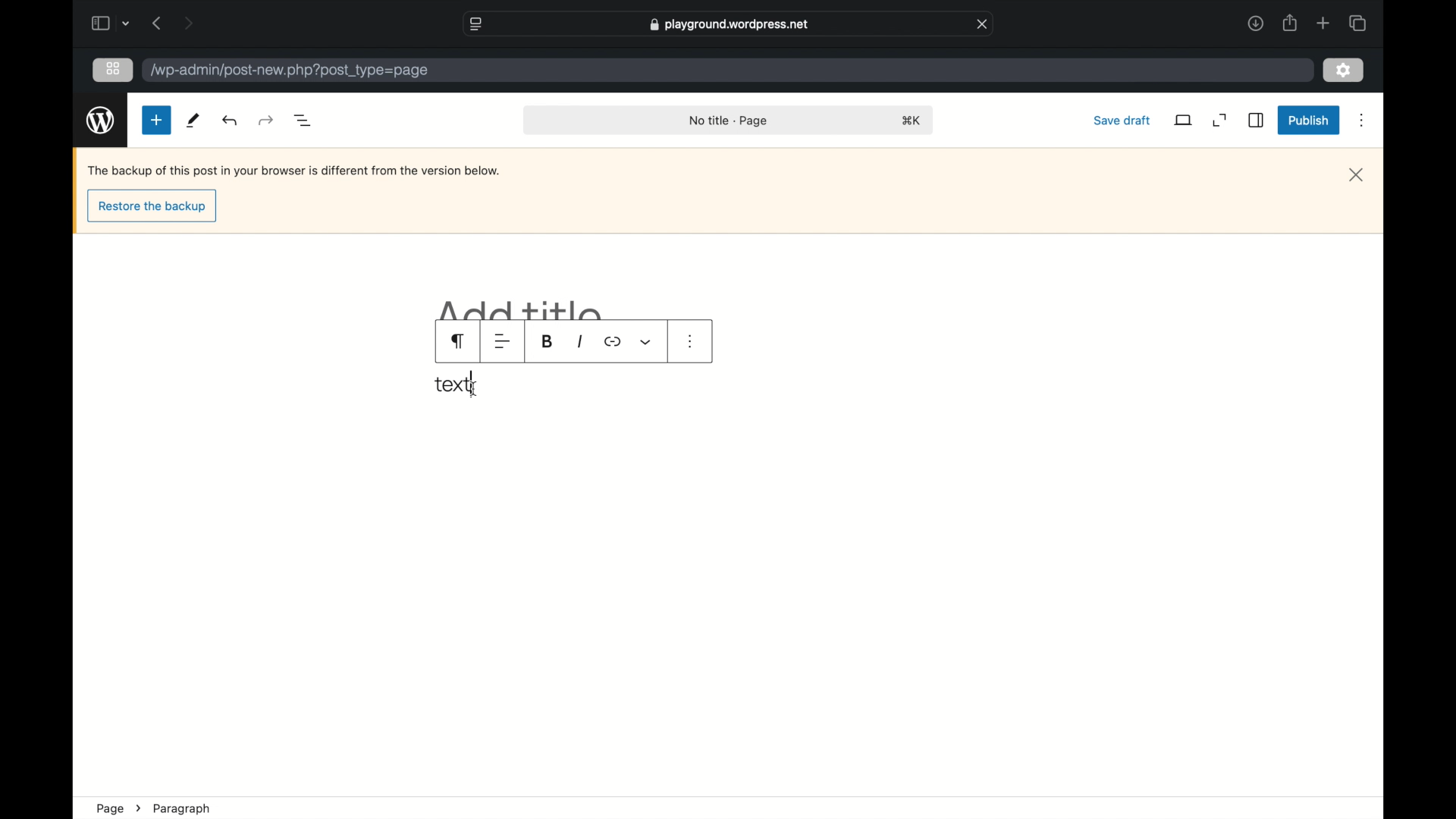 The image size is (1456, 819). Describe the element at coordinates (912, 121) in the screenshot. I see `shortcut` at that location.